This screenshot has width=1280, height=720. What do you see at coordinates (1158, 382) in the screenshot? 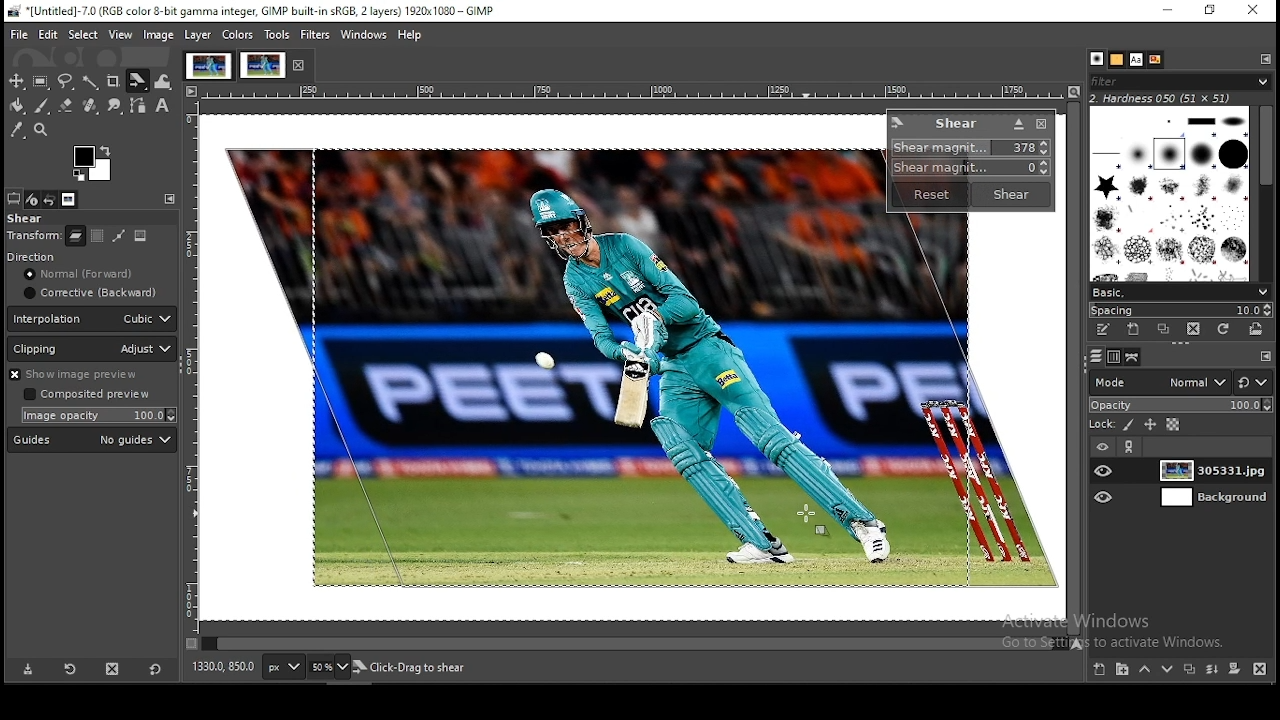
I see `mode` at bounding box center [1158, 382].